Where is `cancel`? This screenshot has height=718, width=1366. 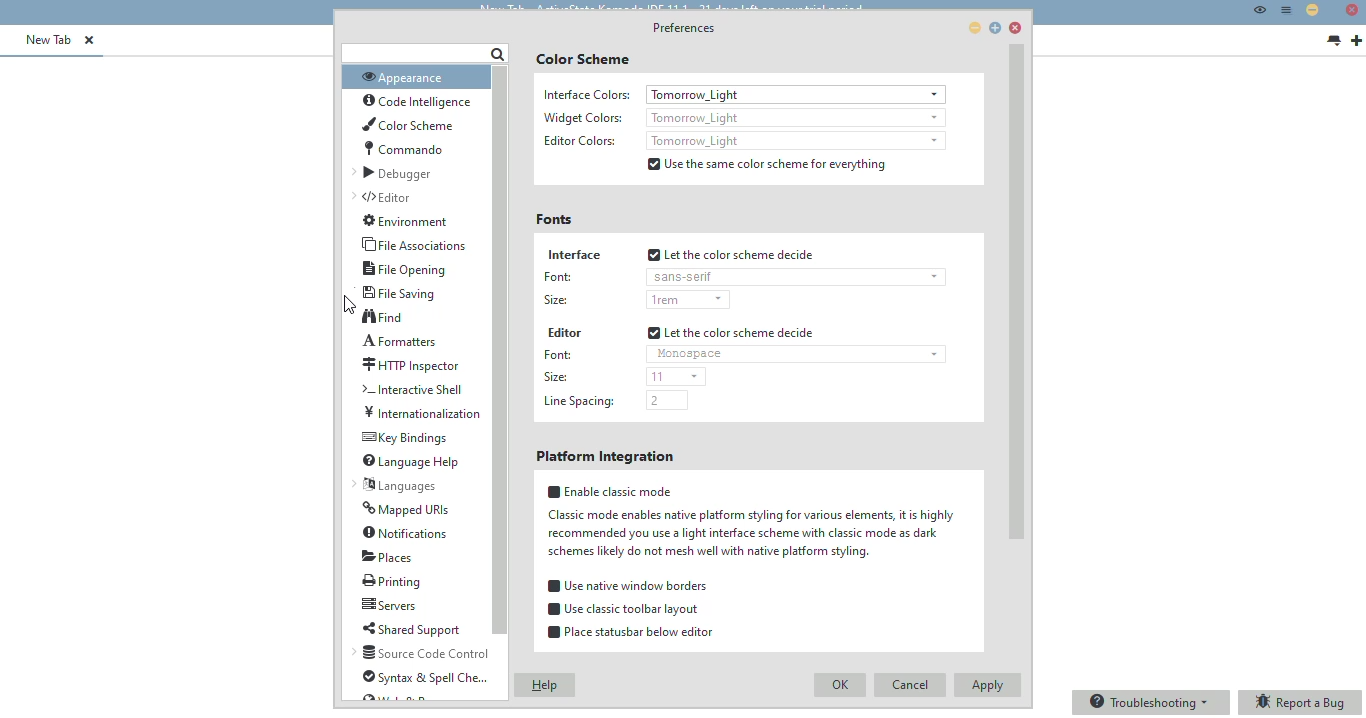
cancel is located at coordinates (909, 685).